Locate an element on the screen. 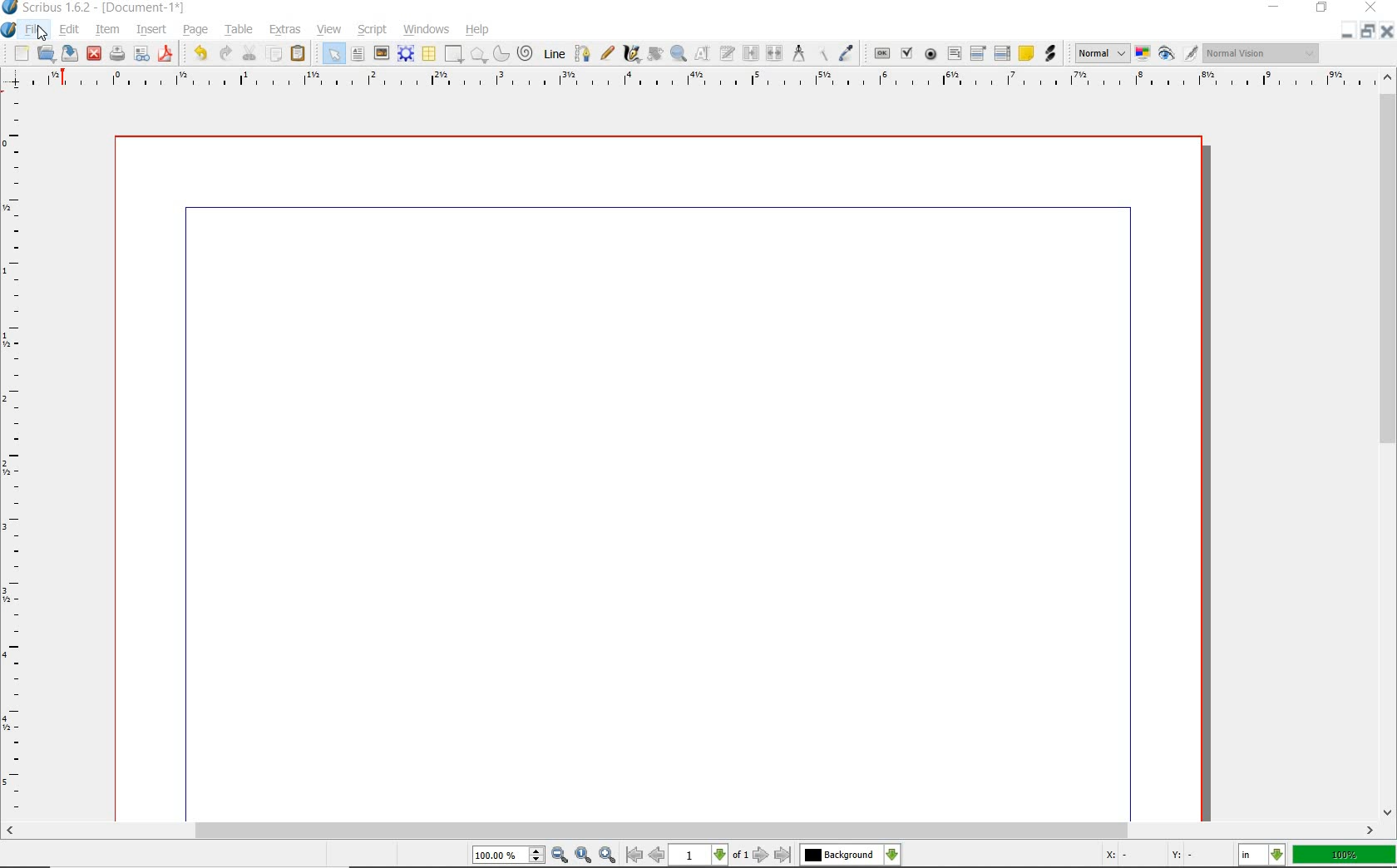  edit text with story editor is located at coordinates (728, 53).